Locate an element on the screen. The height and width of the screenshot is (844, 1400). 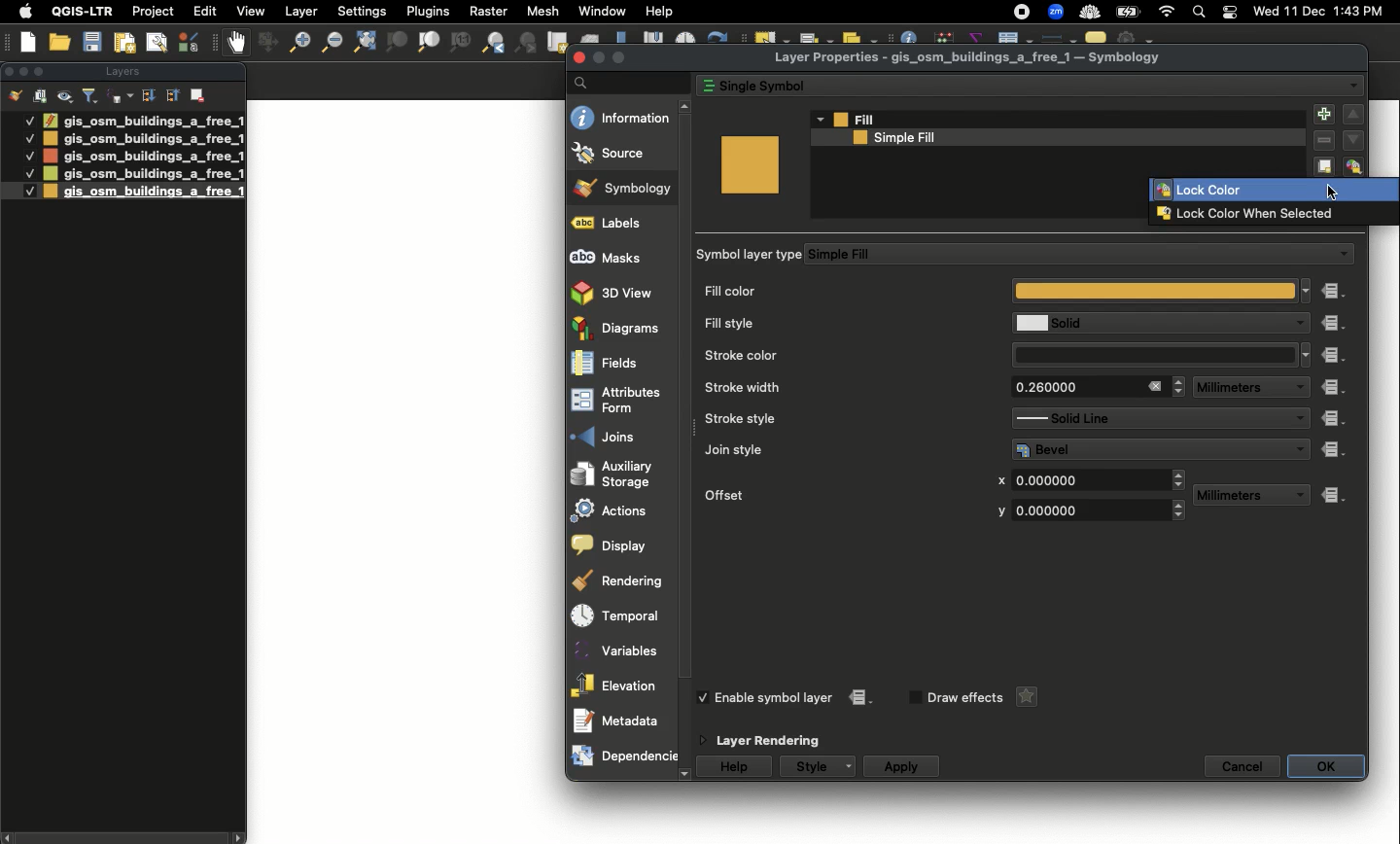
 is located at coordinates (1337, 387).